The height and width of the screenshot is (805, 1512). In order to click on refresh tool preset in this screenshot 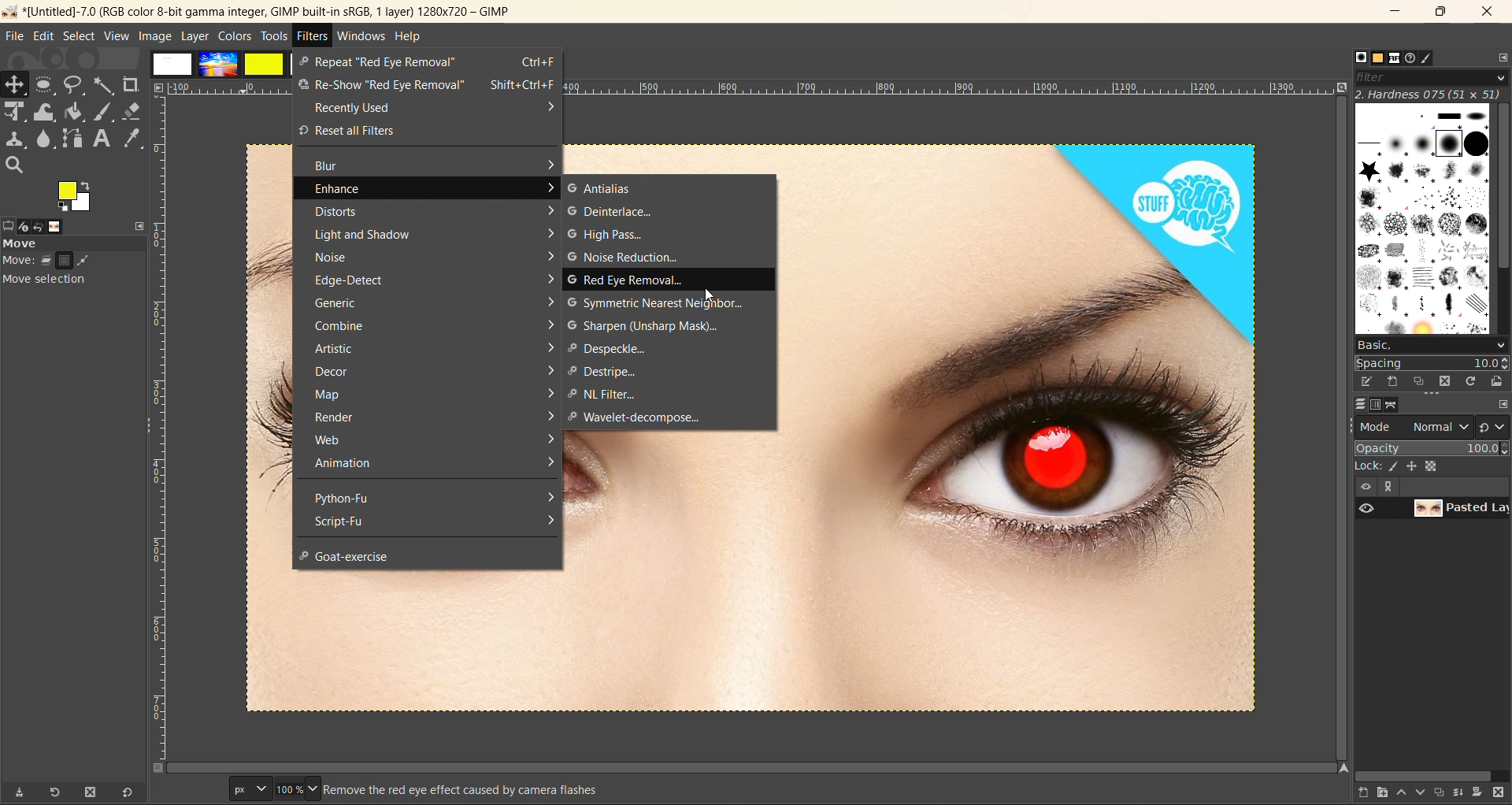, I will do `click(53, 793)`.